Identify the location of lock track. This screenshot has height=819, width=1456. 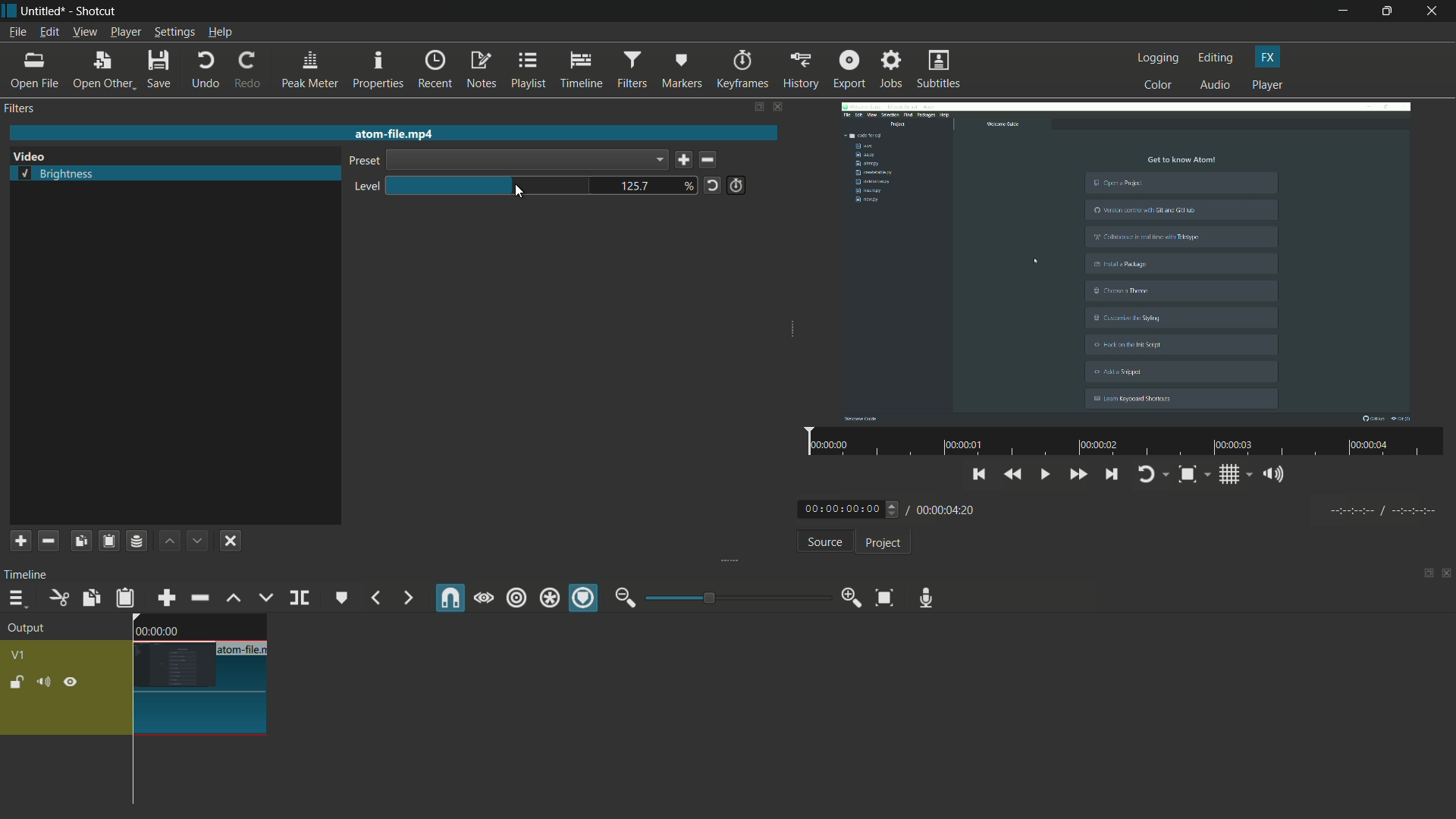
(19, 682).